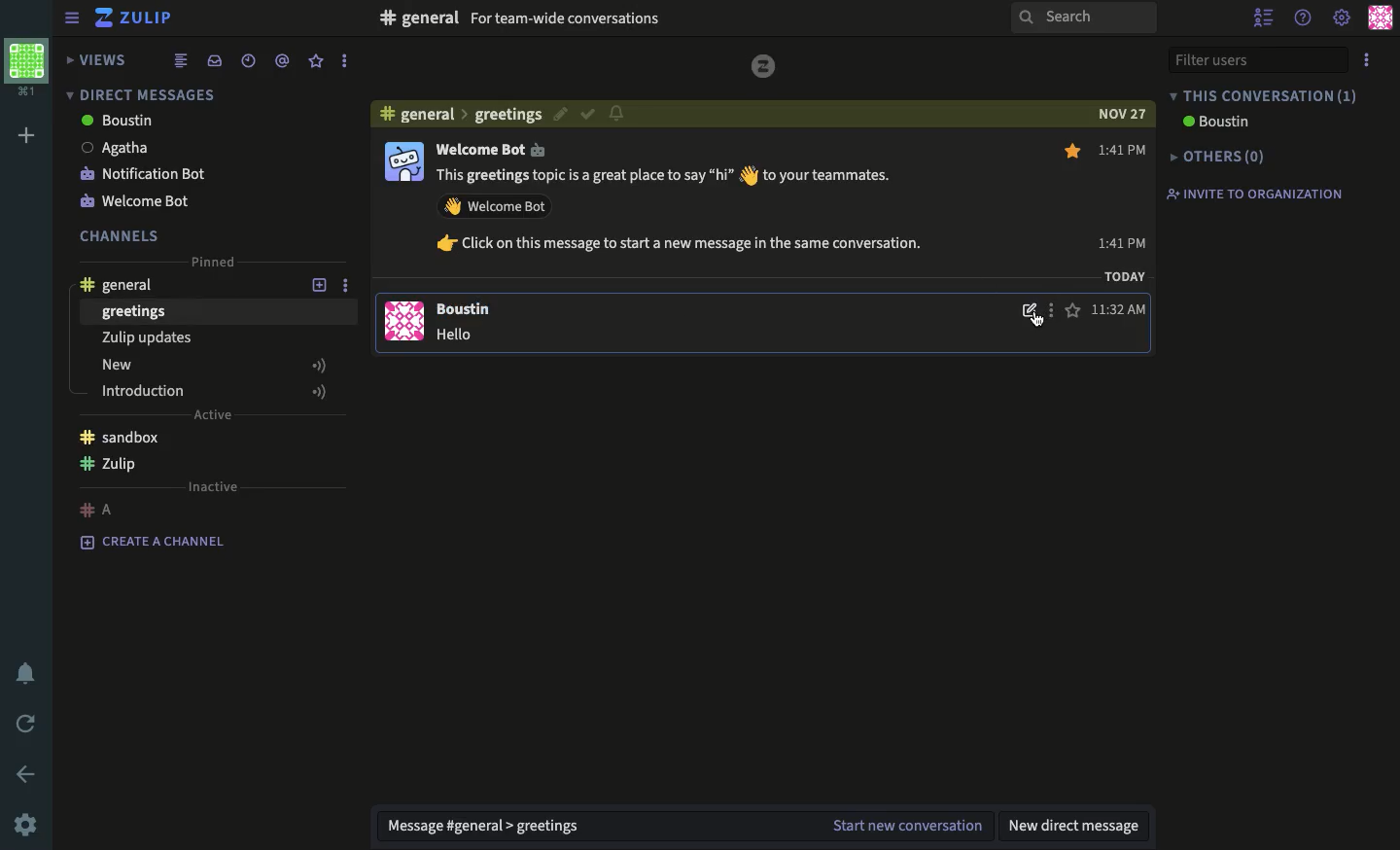 The image size is (1400, 850). What do you see at coordinates (500, 150) in the screenshot?
I see `Welcome Bot` at bounding box center [500, 150].